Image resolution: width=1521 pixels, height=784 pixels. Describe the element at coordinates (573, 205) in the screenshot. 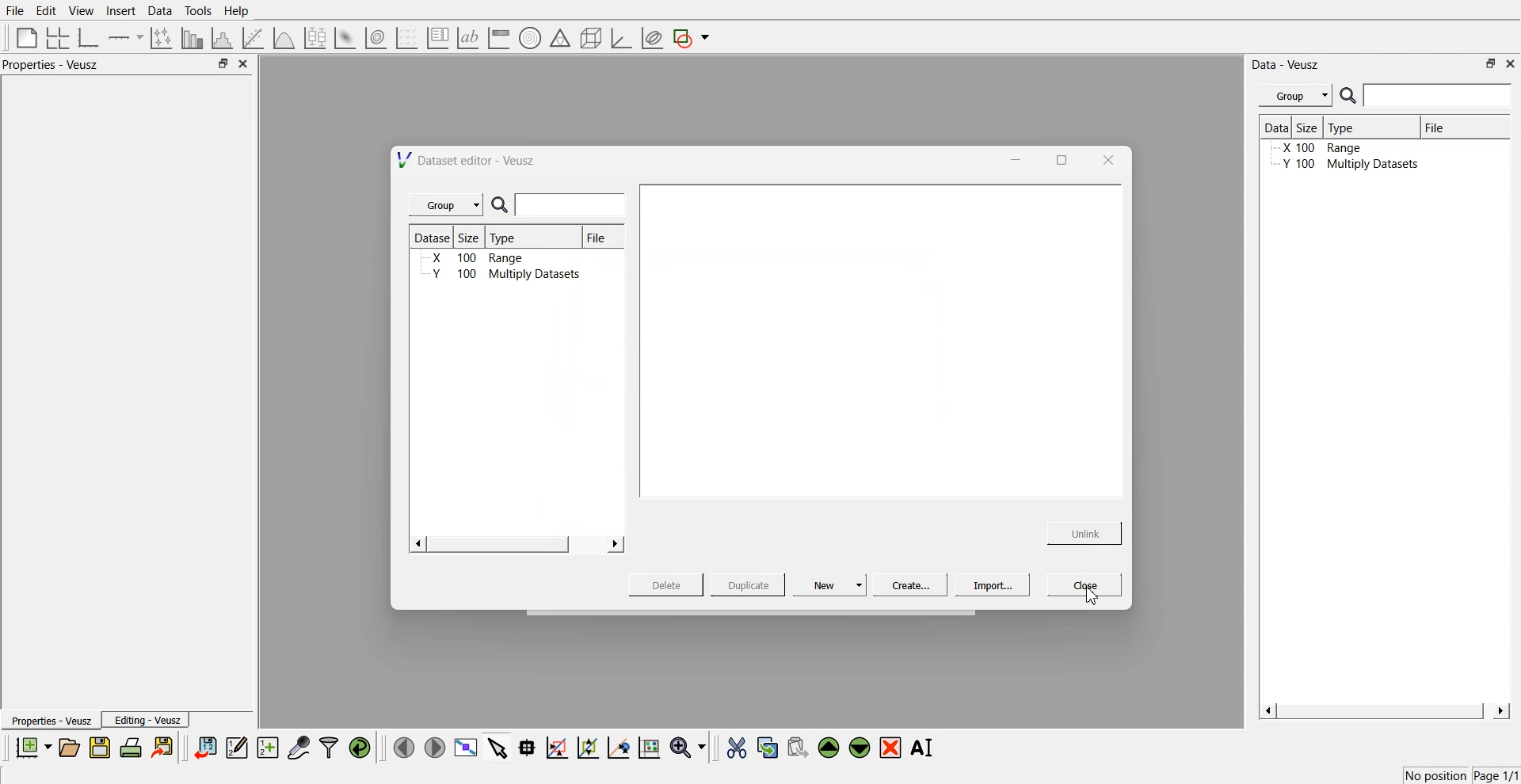

I see `enter search field` at that location.